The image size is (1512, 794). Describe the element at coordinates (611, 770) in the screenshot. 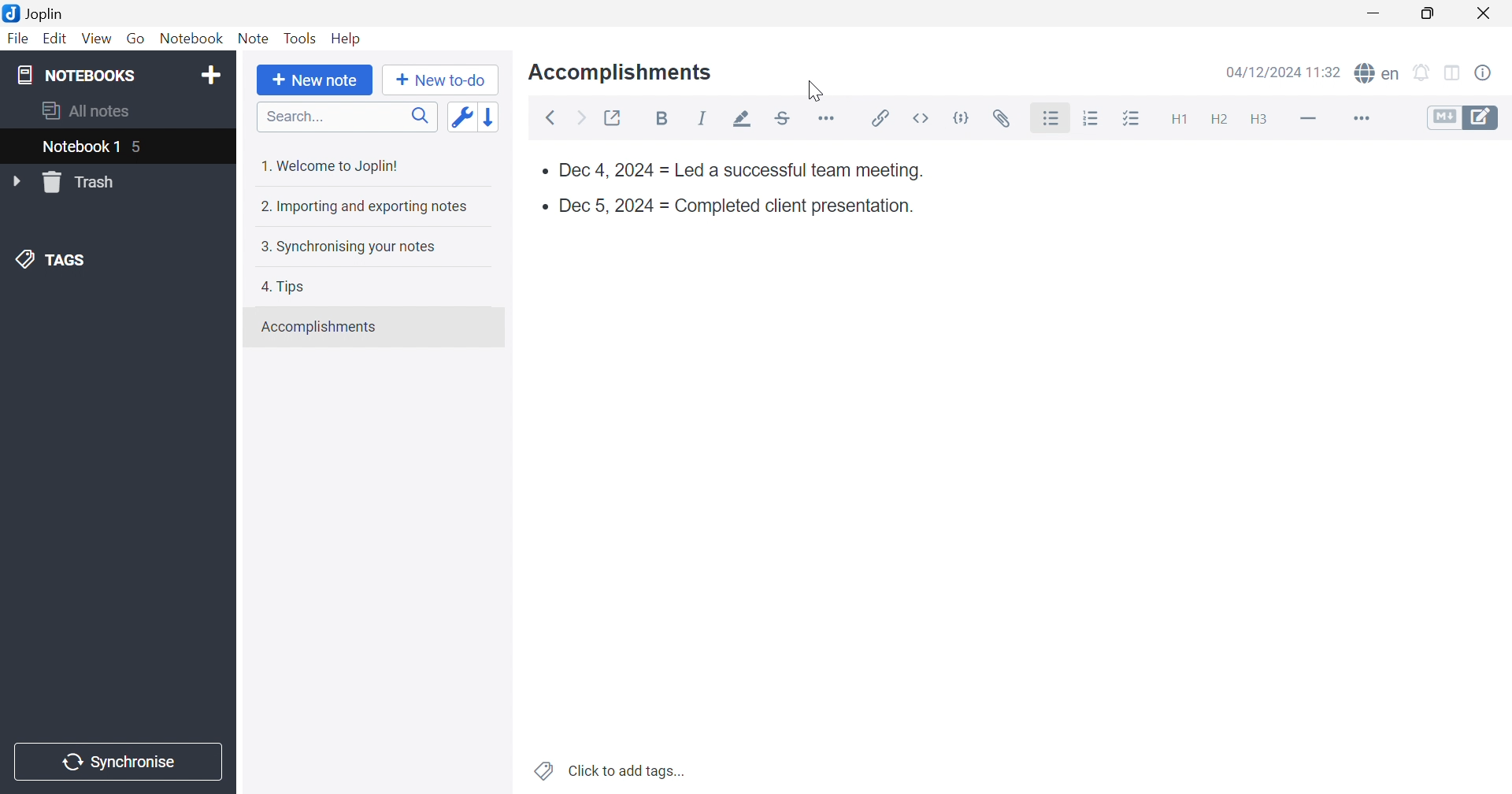

I see `Click to add tags...` at that location.